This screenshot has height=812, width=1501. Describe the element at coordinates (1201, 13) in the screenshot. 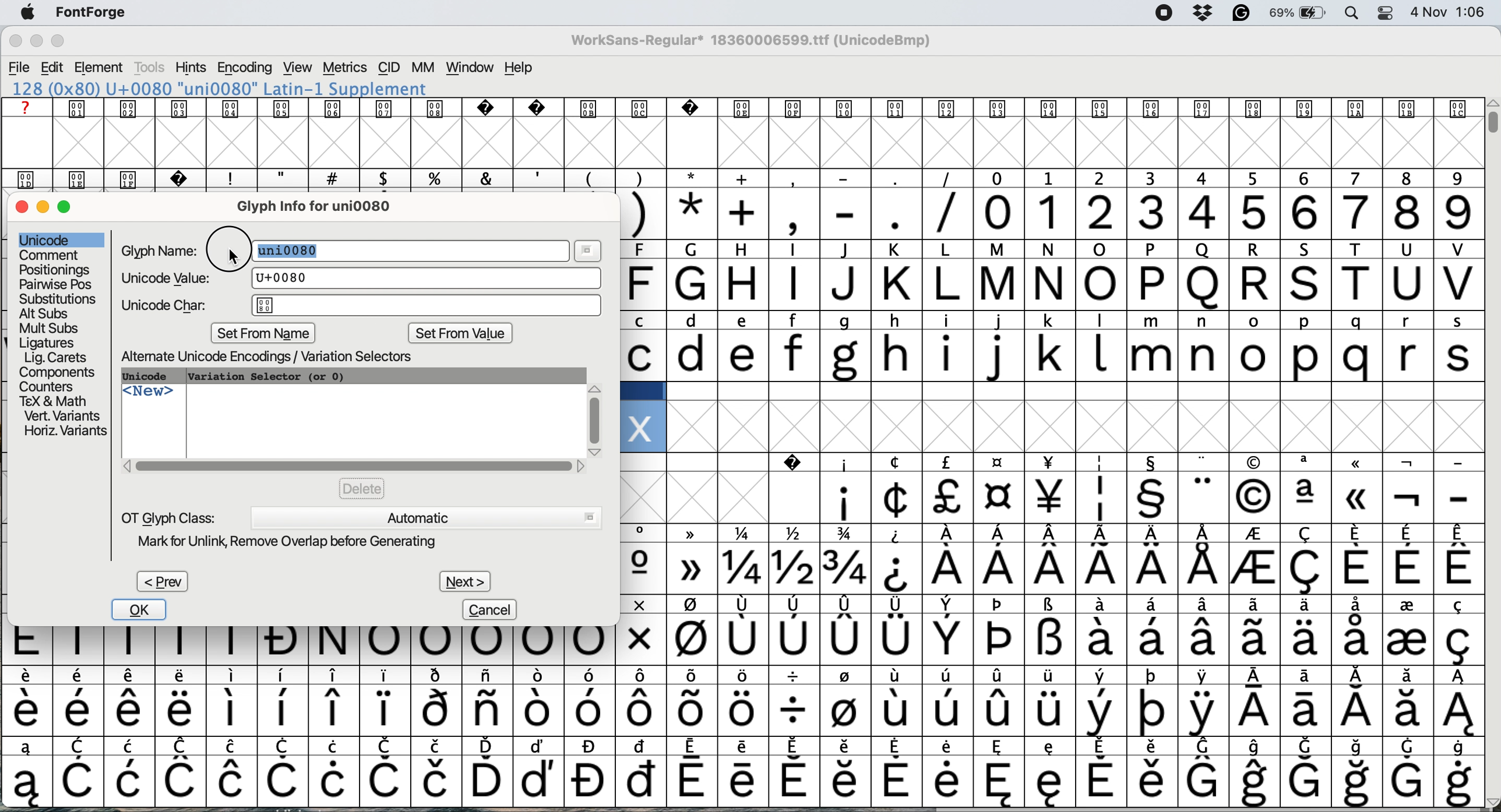

I see `dropbox` at that location.